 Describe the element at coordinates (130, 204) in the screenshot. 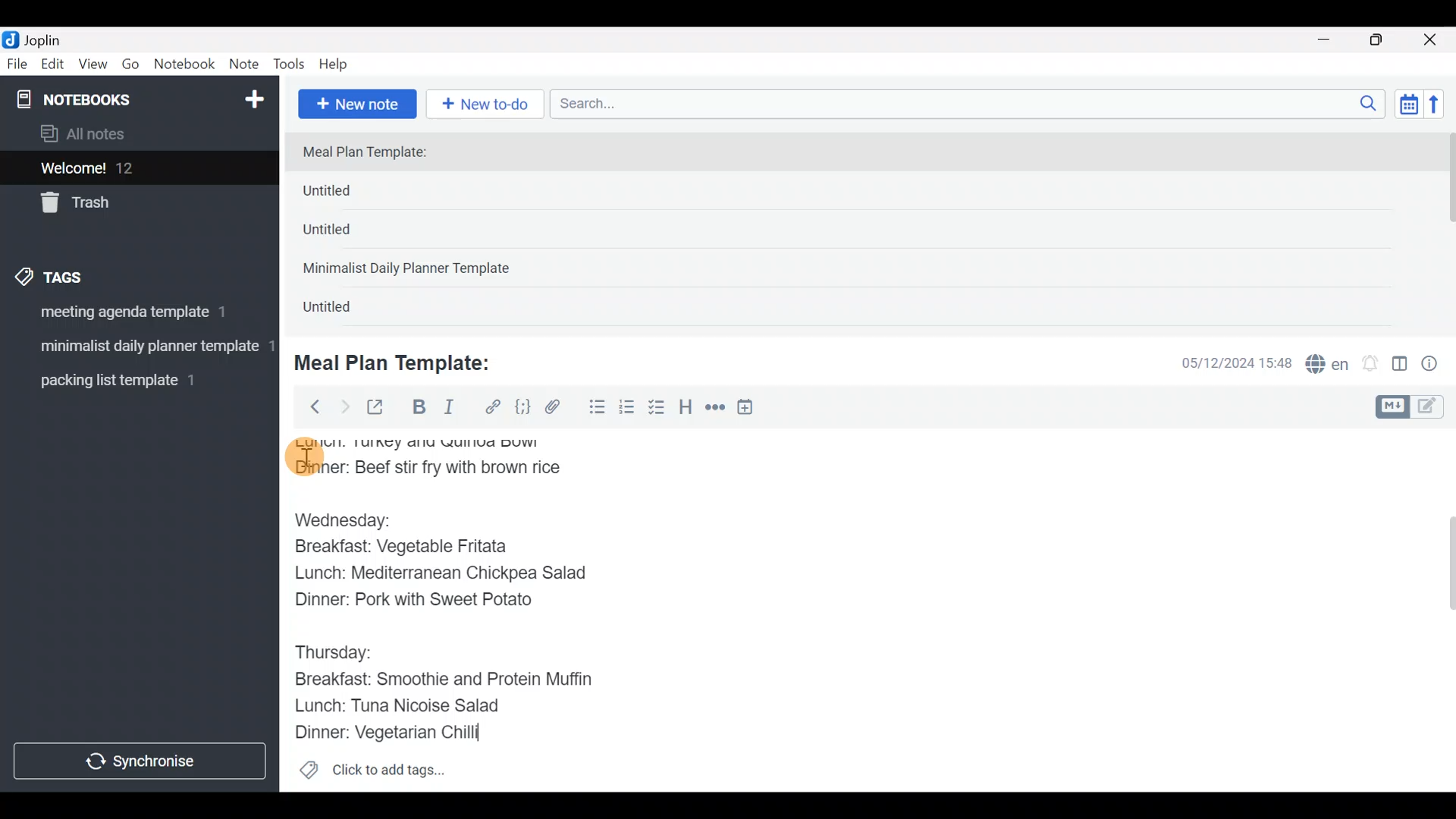

I see `Trash` at that location.